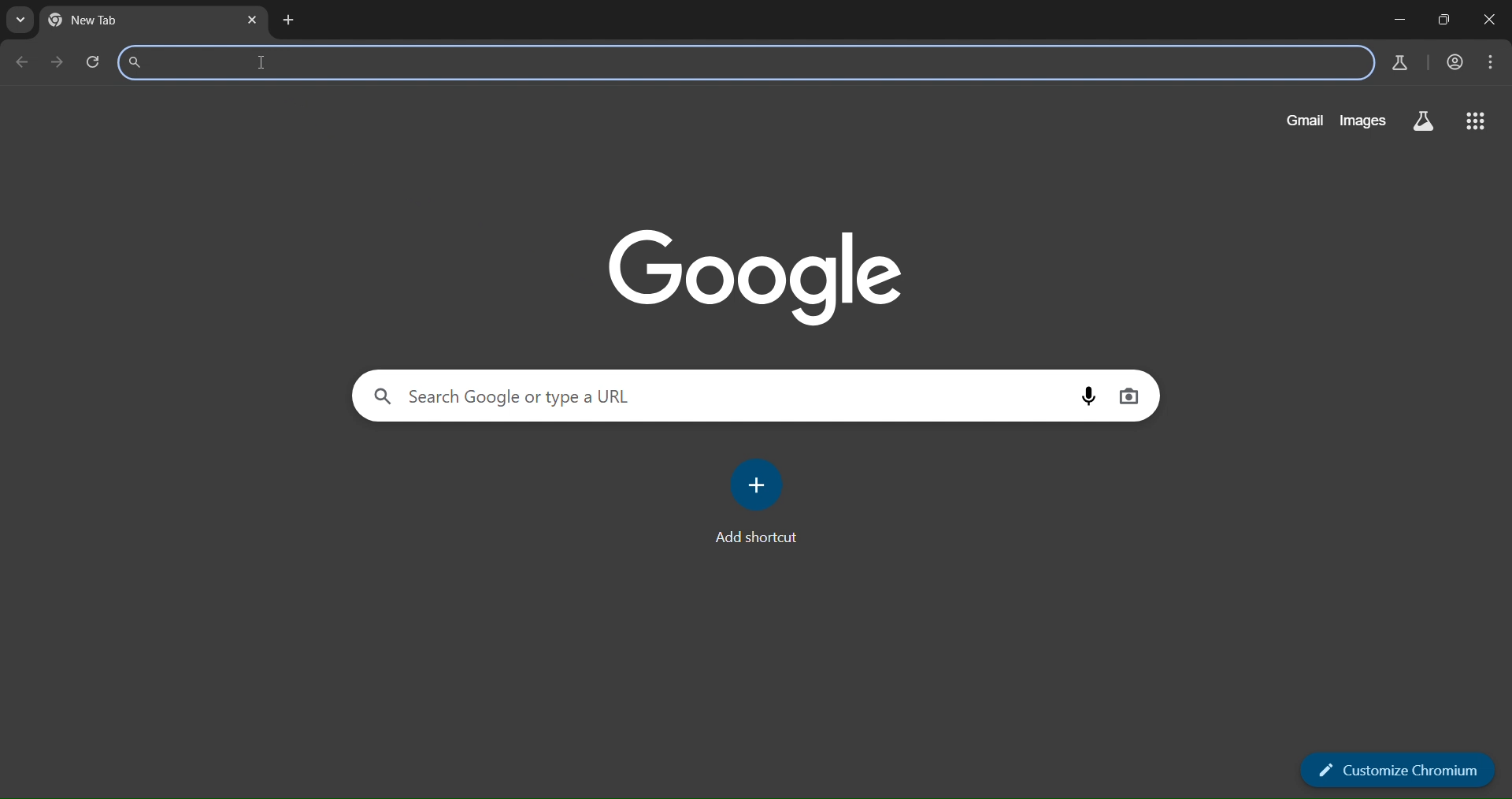 The width and height of the screenshot is (1512, 799). Describe the element at coordinates (289, 20) in the screenshot. I see `new tab` at that location.